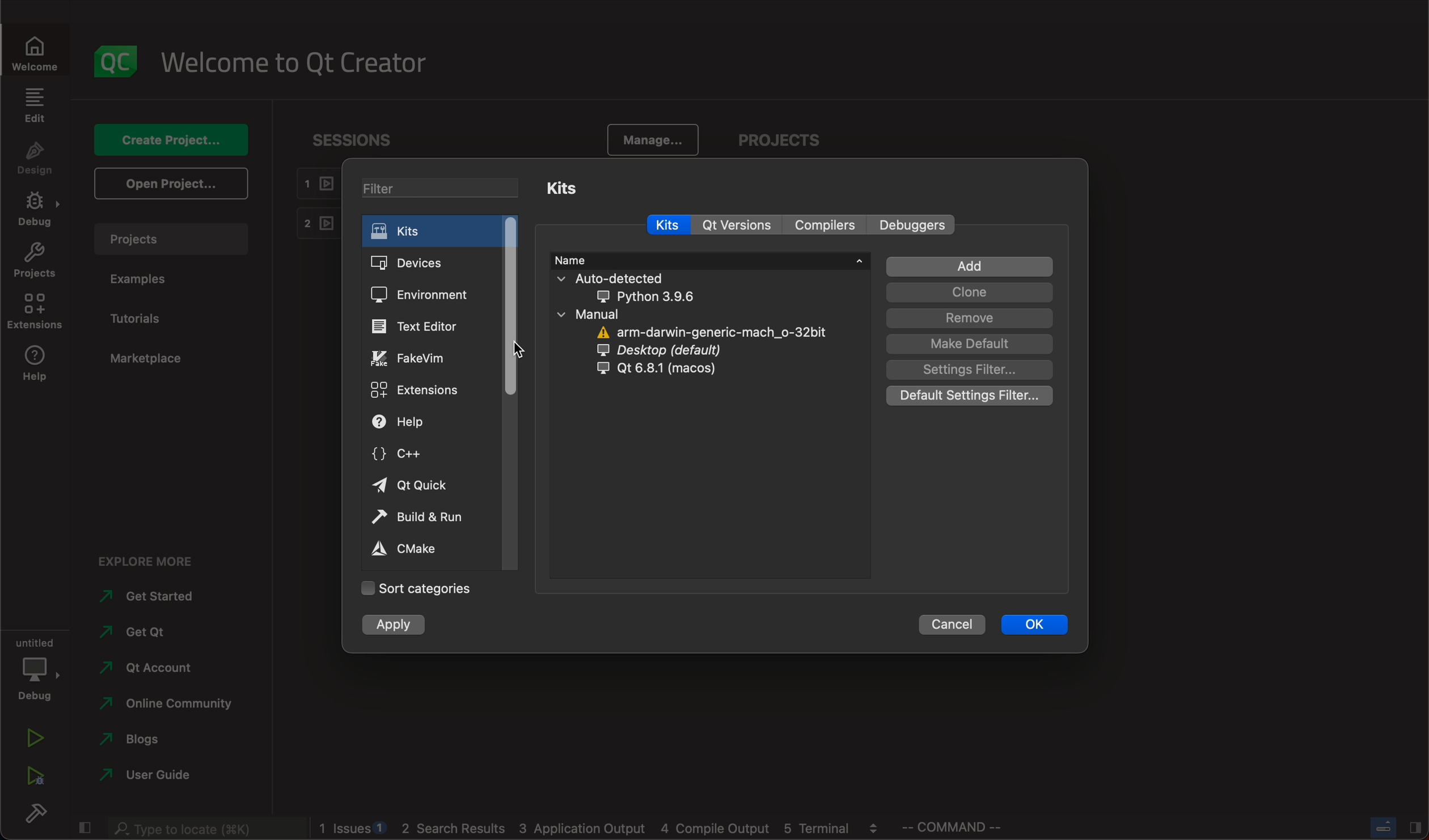 Image resolution: width=1429 pixels, height=840 pixels. What do you see at coordinates (971, 266) in the screenshot?
I see `add` at bounding box center [971, 266].